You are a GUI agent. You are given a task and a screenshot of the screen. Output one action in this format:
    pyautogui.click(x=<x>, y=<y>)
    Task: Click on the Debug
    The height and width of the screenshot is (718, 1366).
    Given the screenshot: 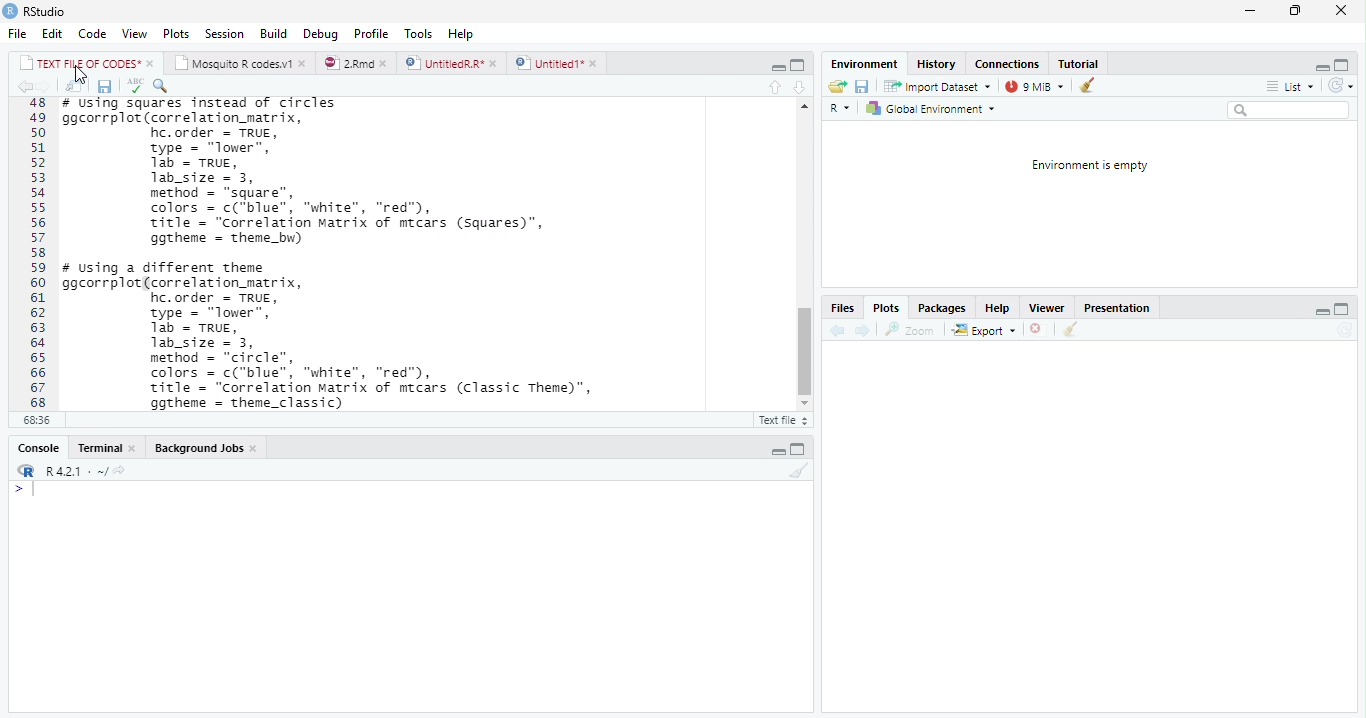 What is the action you would take?
    pyautogui.click(x=322, y=34)
    